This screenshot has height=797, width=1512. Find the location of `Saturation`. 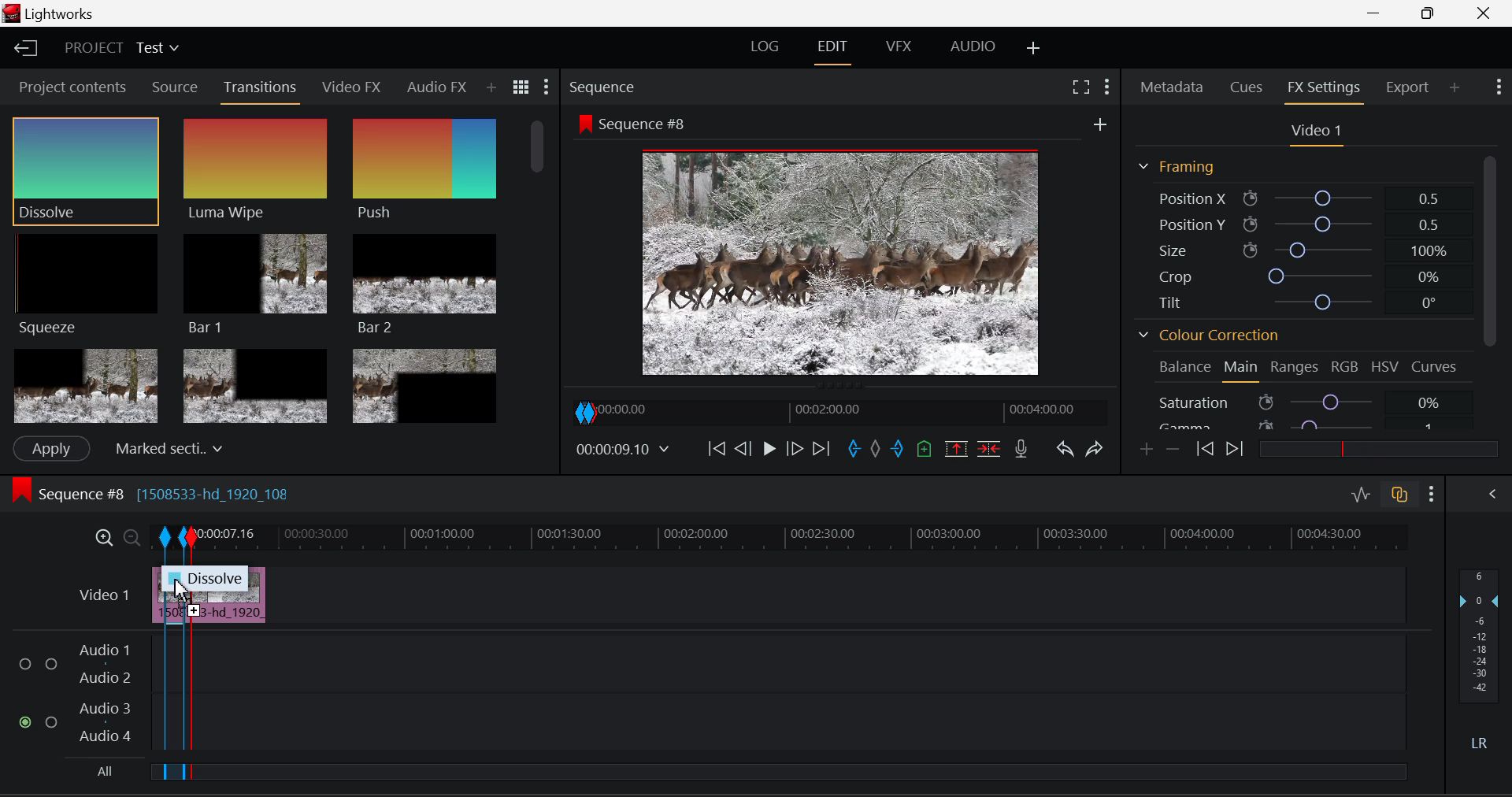

Saturation is located at coordinates (1299, 402).